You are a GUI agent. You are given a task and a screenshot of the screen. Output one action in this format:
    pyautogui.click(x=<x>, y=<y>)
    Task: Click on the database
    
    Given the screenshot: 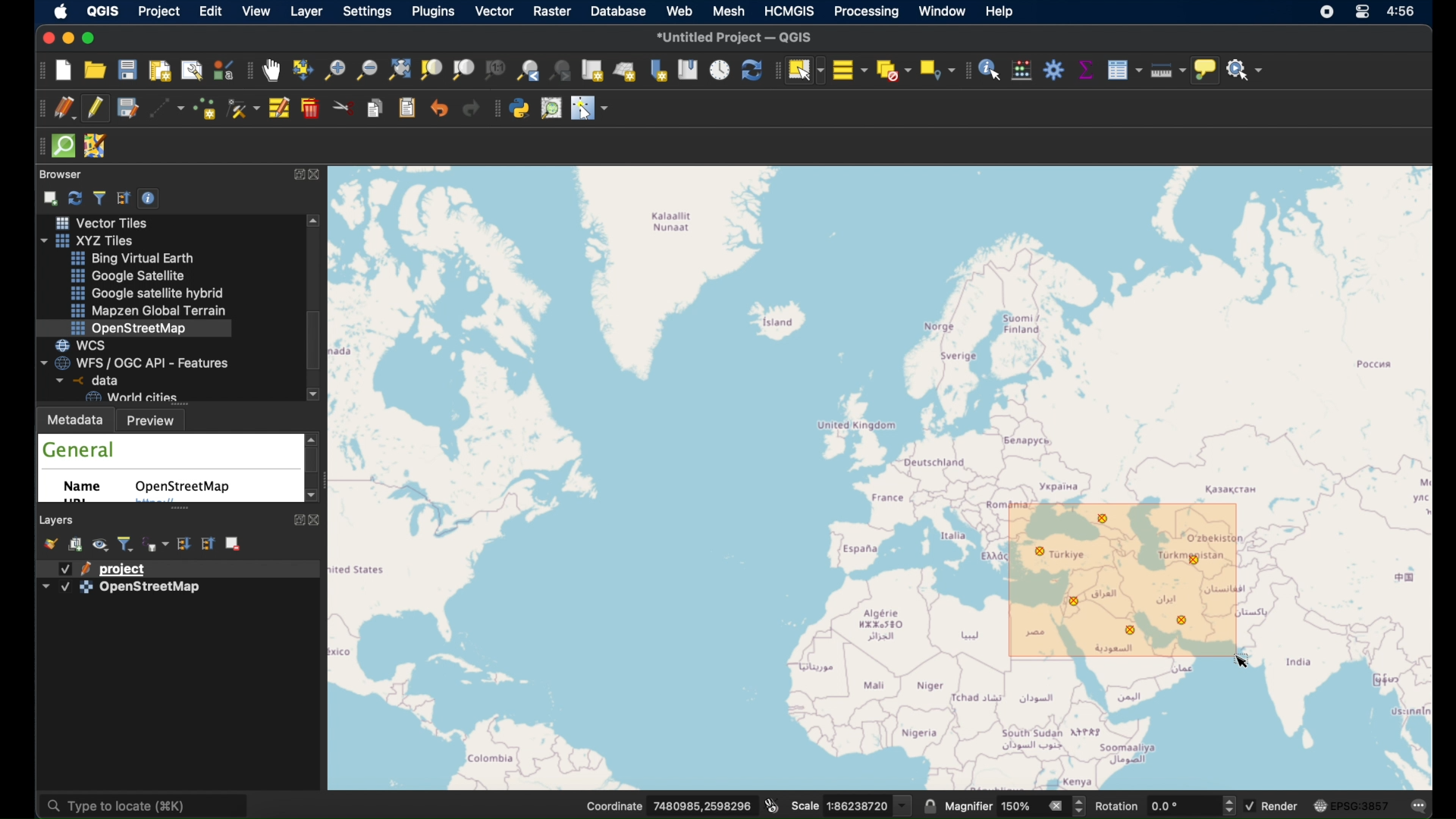 What is the action you would take?
    pyautogui.click(x=617, y=11)
    